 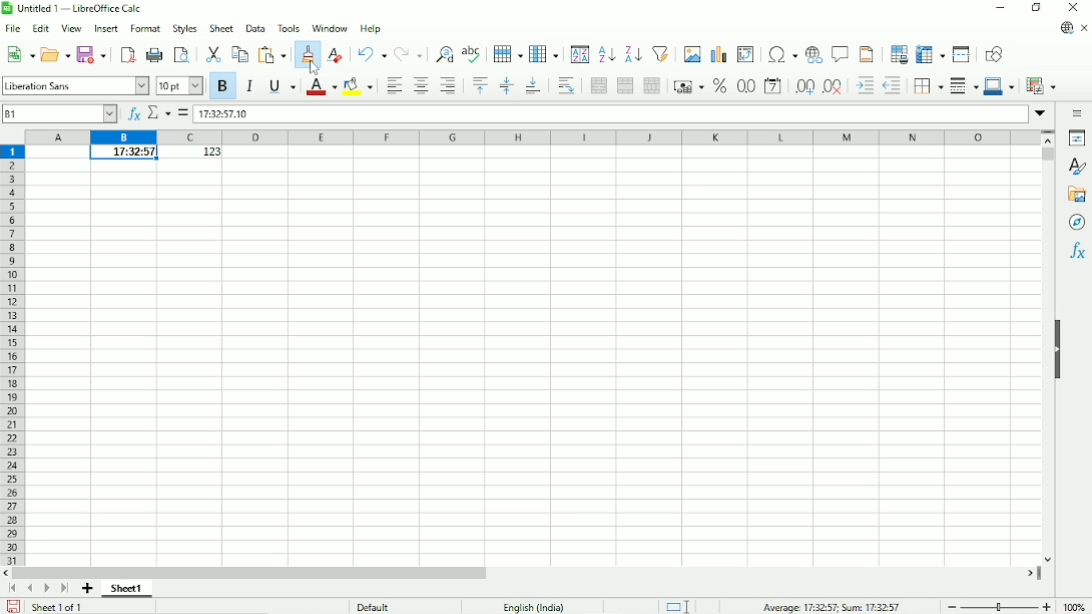 What do you see at coordinates (371, 605) in the screenshot?
I see `Default` at bounding box center [371, 605].